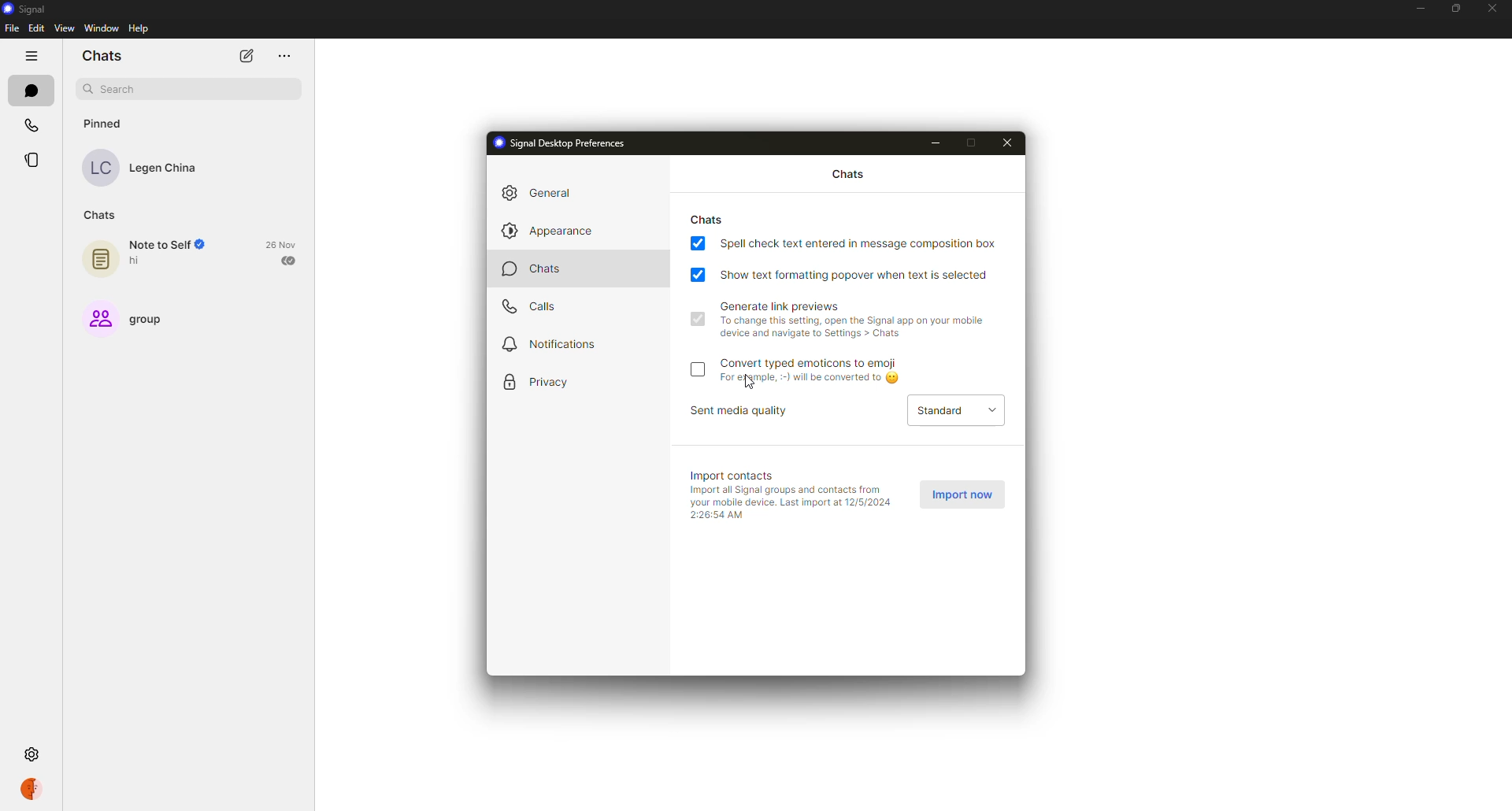  What do you see at coordinates (751, 383) in the screenshot?
I see `cursor` at bounding box center [751, 383].